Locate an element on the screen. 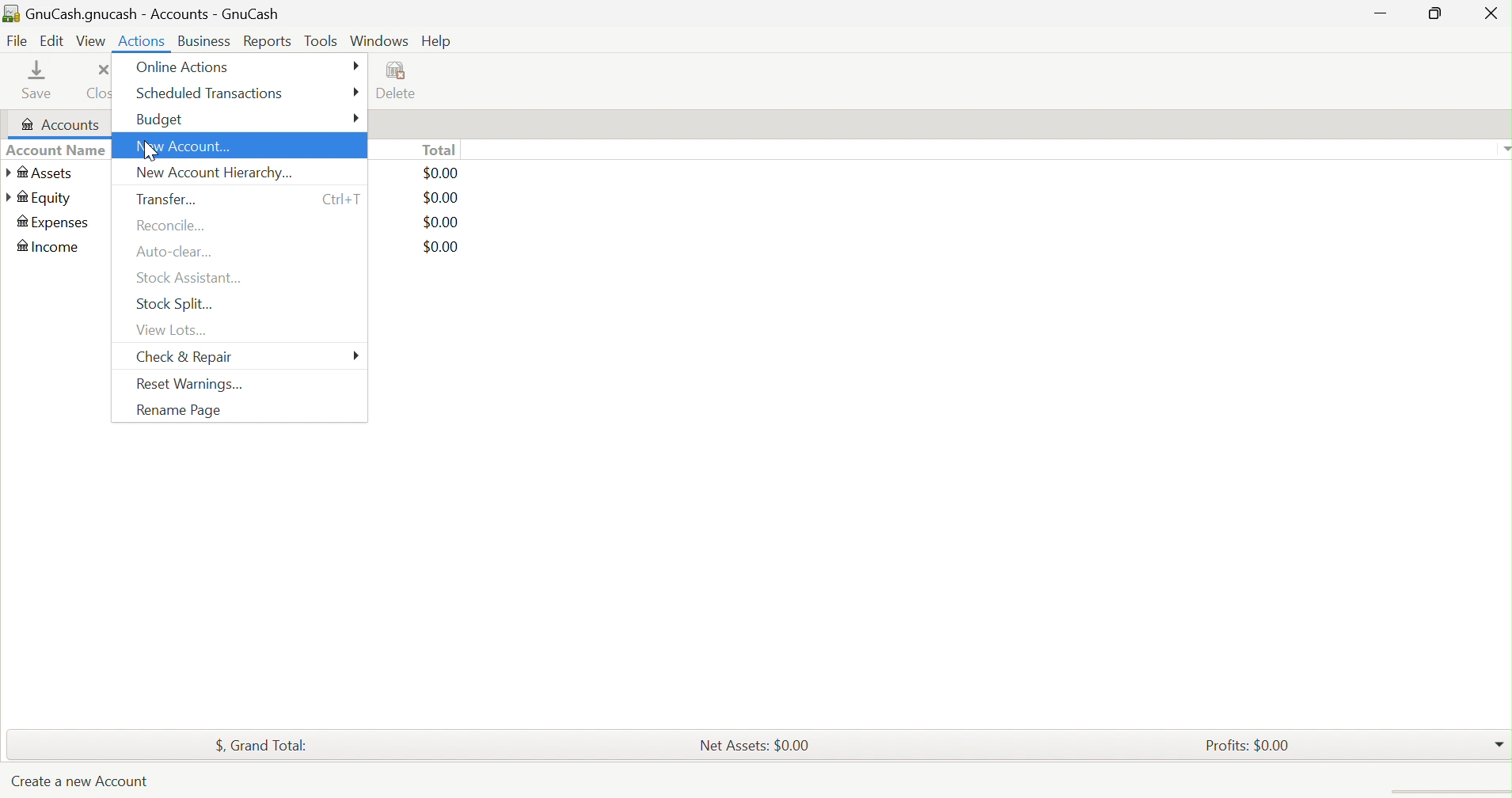  Business is located at coordinates (205, 42).